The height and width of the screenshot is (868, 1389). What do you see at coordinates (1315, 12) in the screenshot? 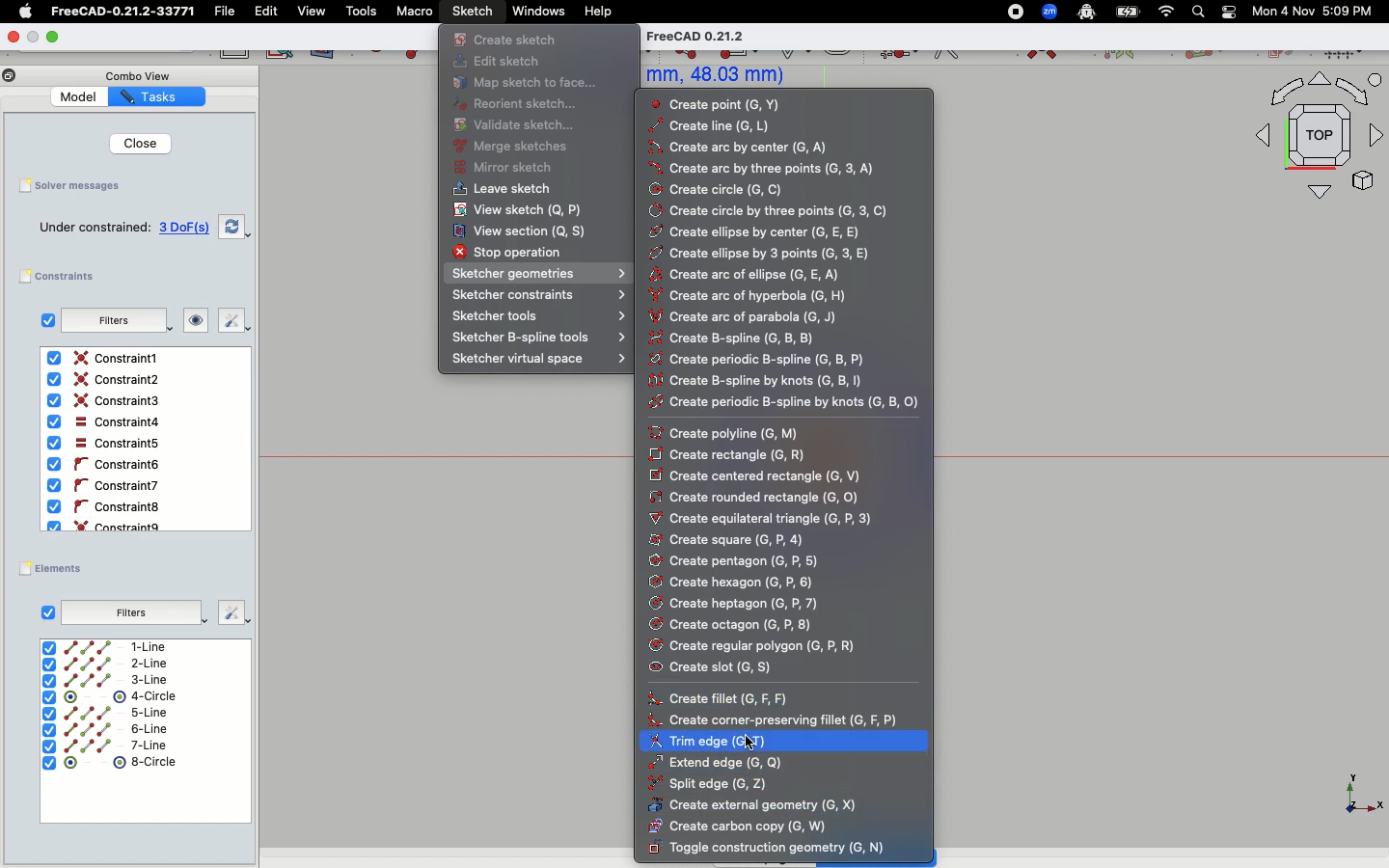
I see `Mon 4 Nov 5:09 PM` at bounding box center [1315, 12].